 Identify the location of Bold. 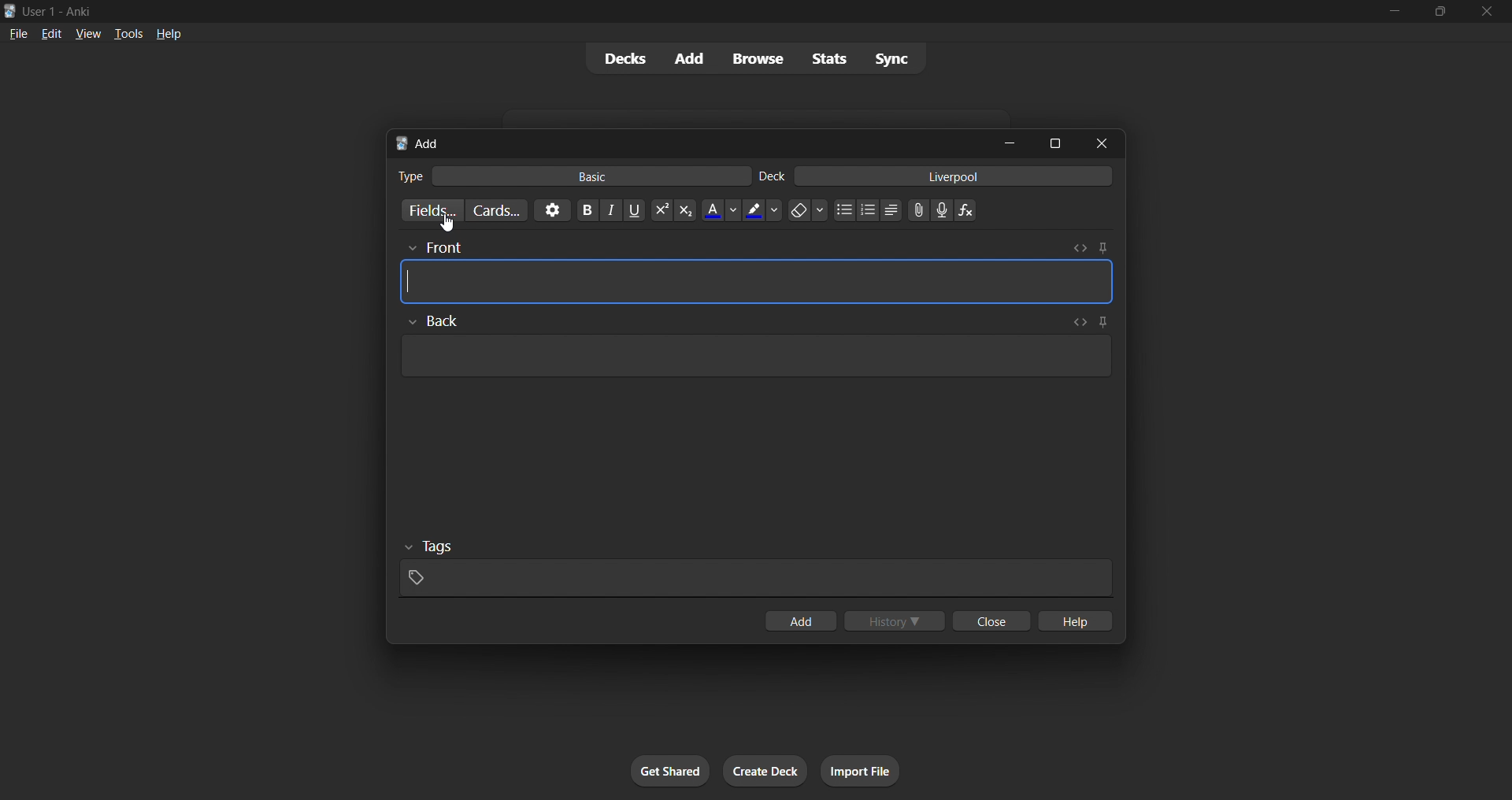
(587, 210).